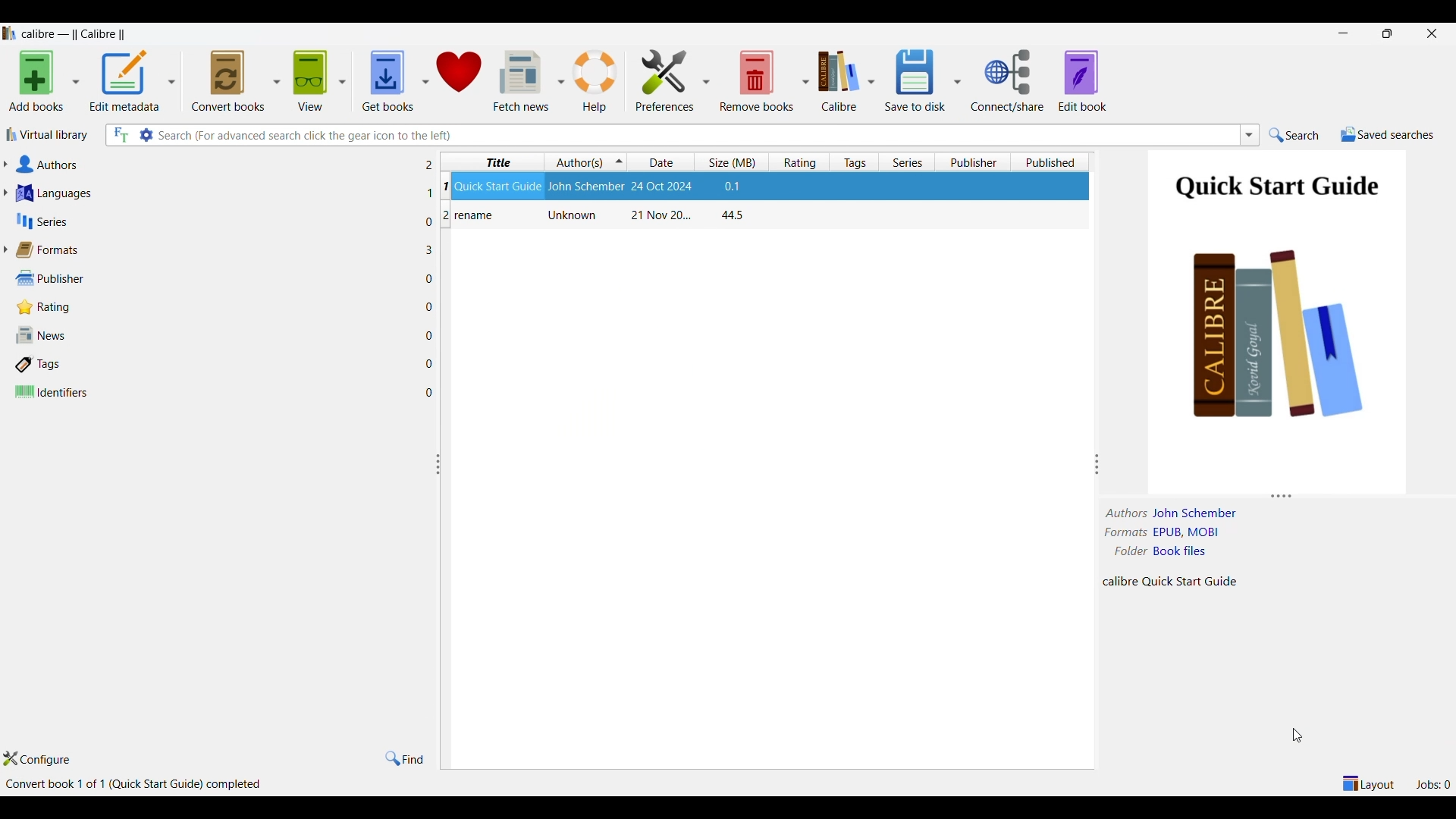 The width and height of the screenshot is (1456, 819). What do you see at coordinates (805, 81) in the screenshot?
I see `Remove book options` at bounding box center [805, 81].